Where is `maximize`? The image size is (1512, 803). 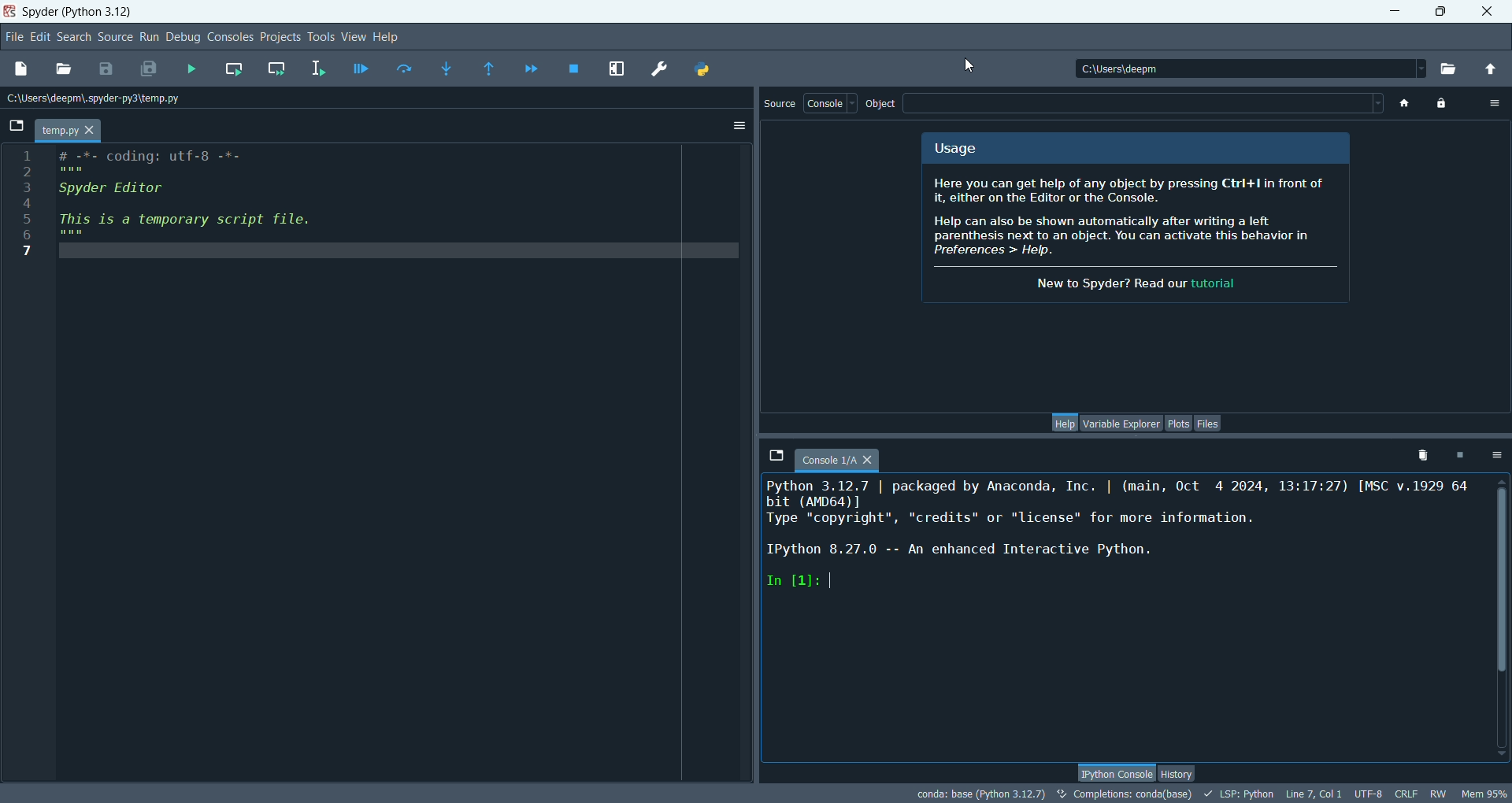 maximize is located at coordinates (1440, 9).